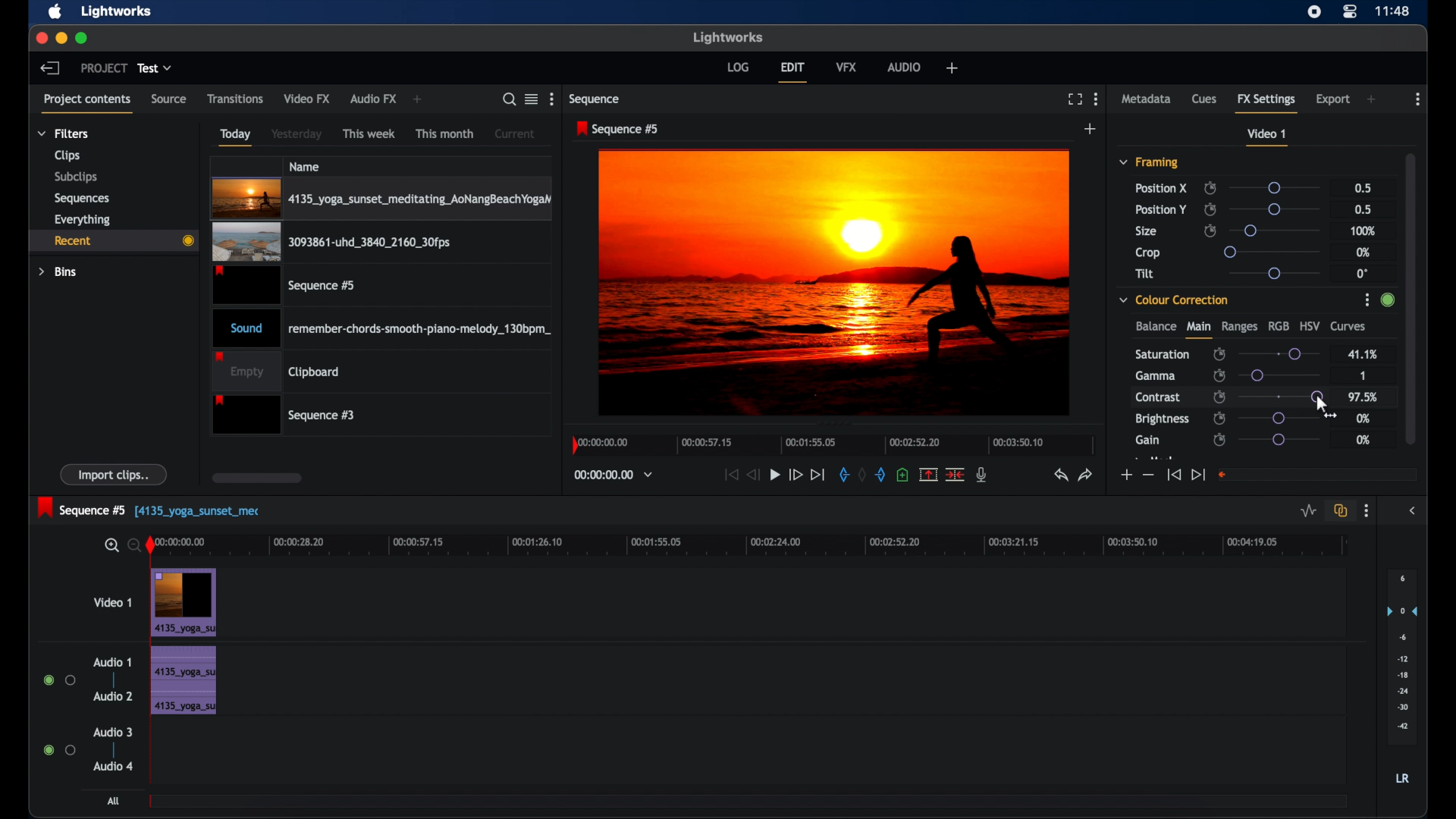 The height and width of the screenshot is (819, 1456). What do you see at coordinates (843, 474) in the screenshot?
I see `in mark` at bounding box center [843, 474].